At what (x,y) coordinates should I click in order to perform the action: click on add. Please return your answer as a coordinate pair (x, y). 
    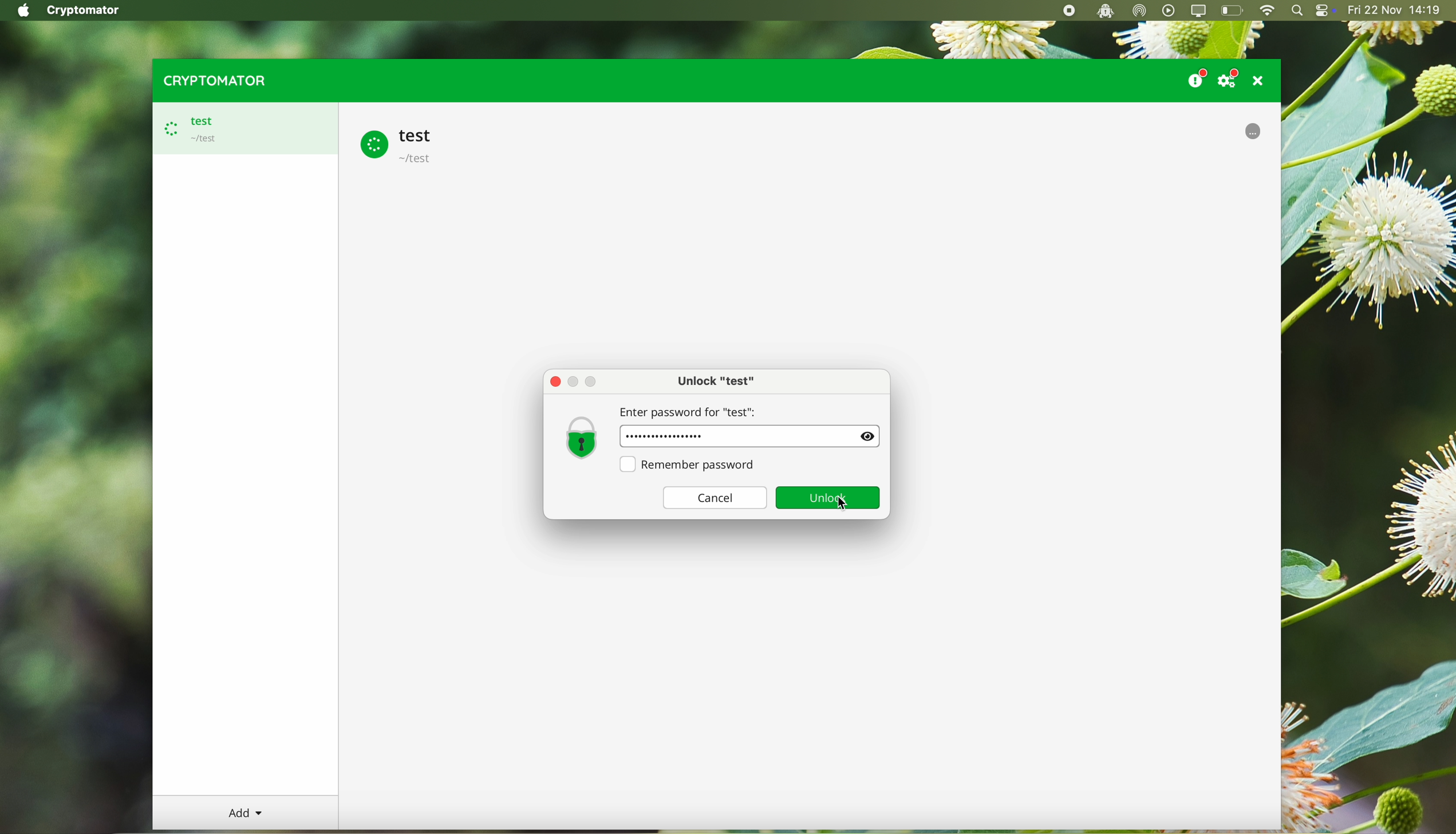
    Looking at the image, I should click on (246, 813).